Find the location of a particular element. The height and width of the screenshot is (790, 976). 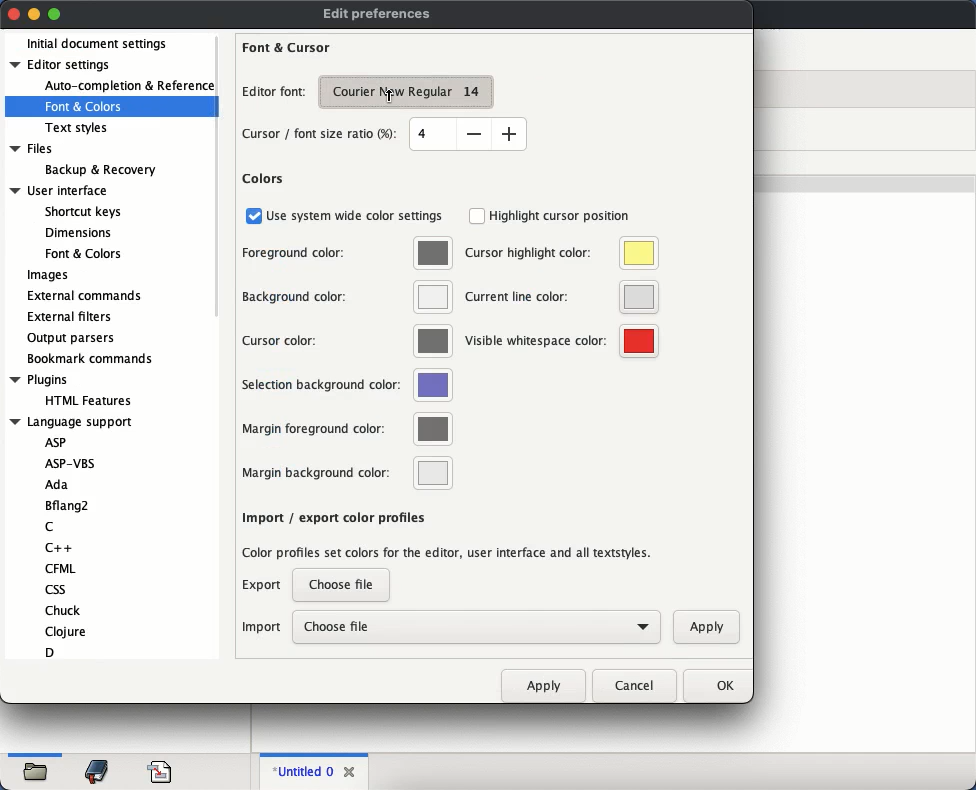

close is located at coordinates (351, 769).